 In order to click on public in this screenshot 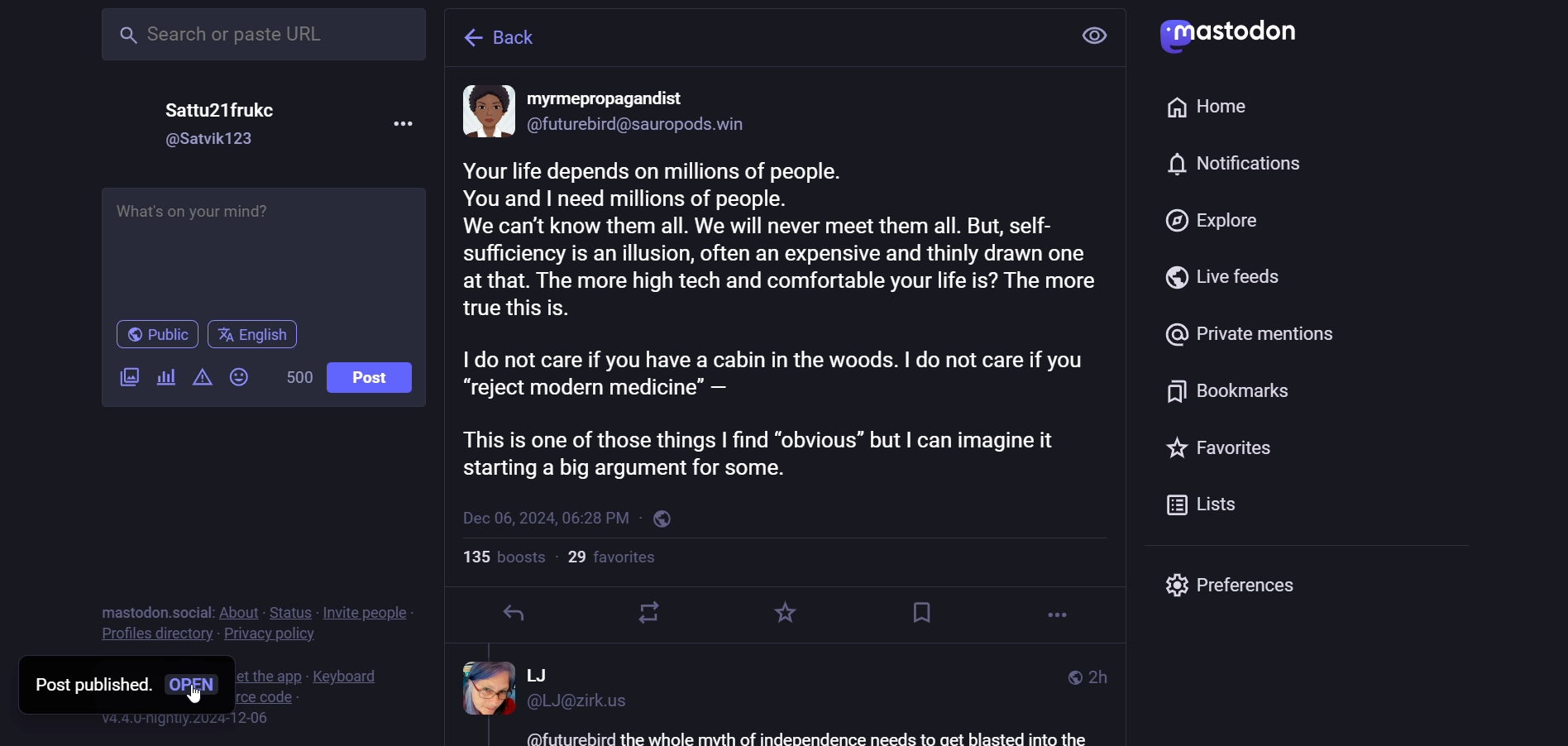, I will do `click(152, 333)`.